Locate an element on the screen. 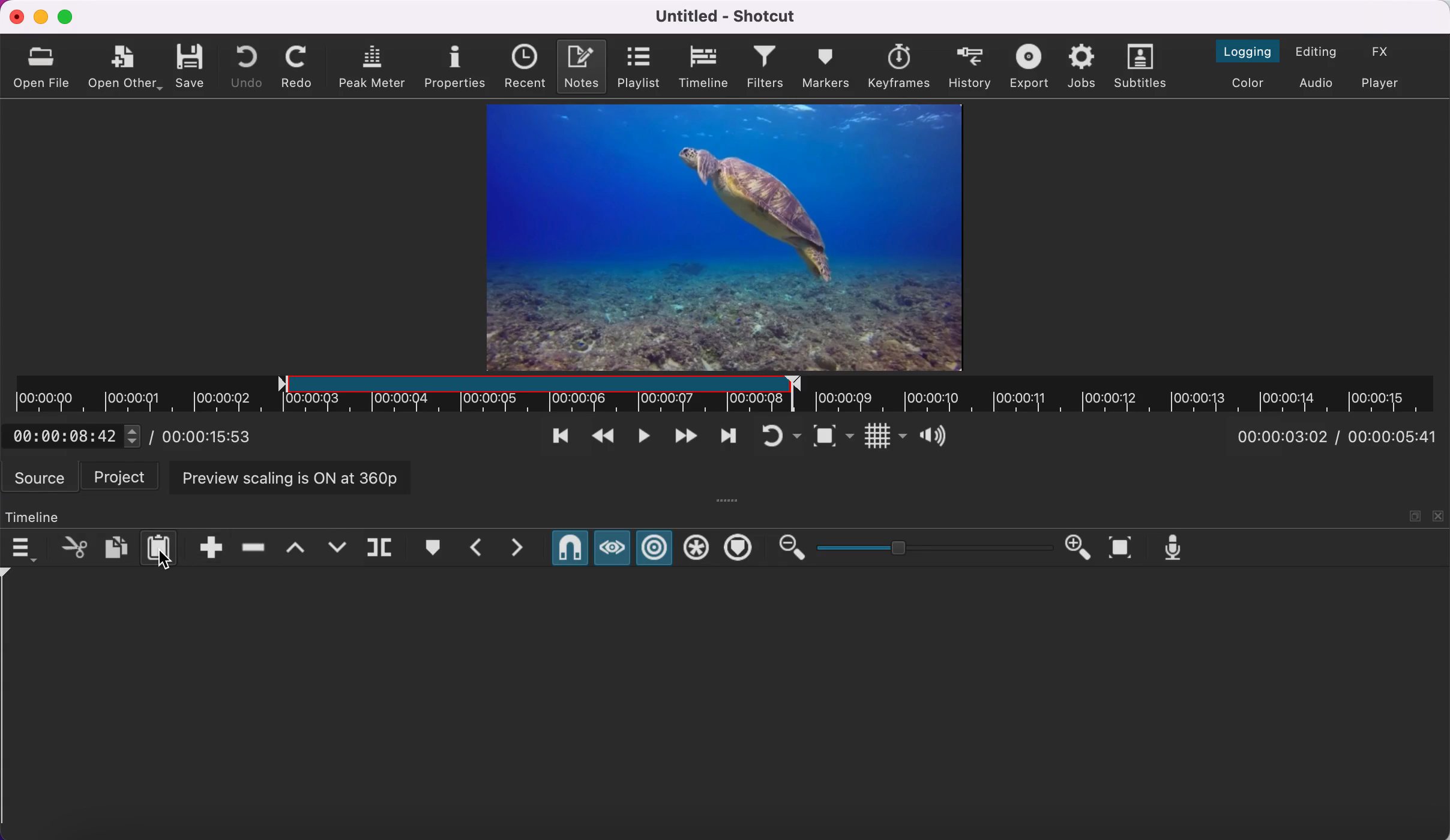  recent is located at coordinates (526, 67).